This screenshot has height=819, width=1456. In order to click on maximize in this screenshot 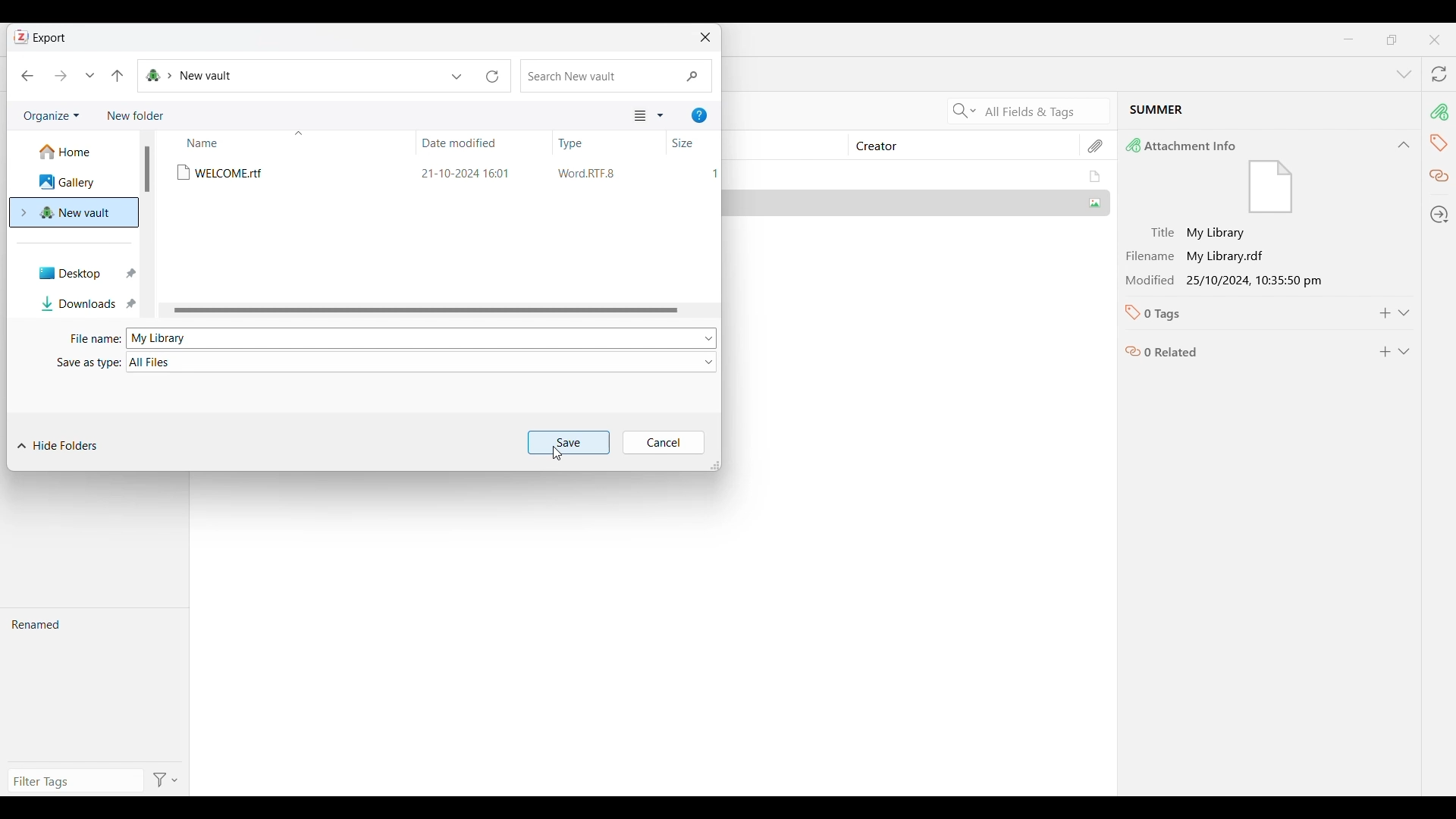, I will do `click(1392, 39)`.